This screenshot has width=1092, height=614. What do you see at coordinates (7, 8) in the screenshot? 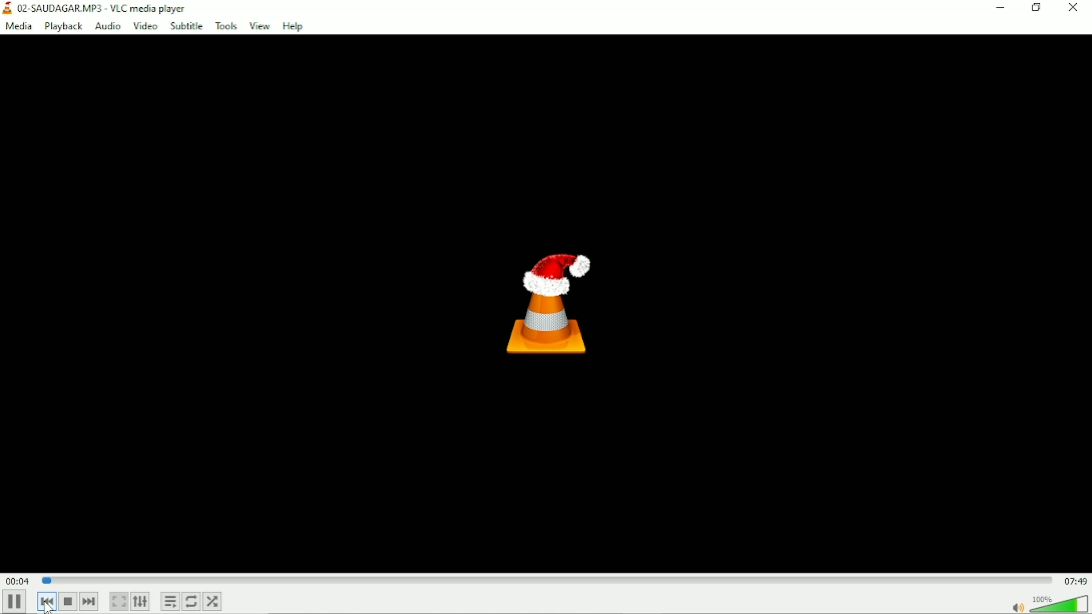
I see `logo` at bounding box center [7, 8].